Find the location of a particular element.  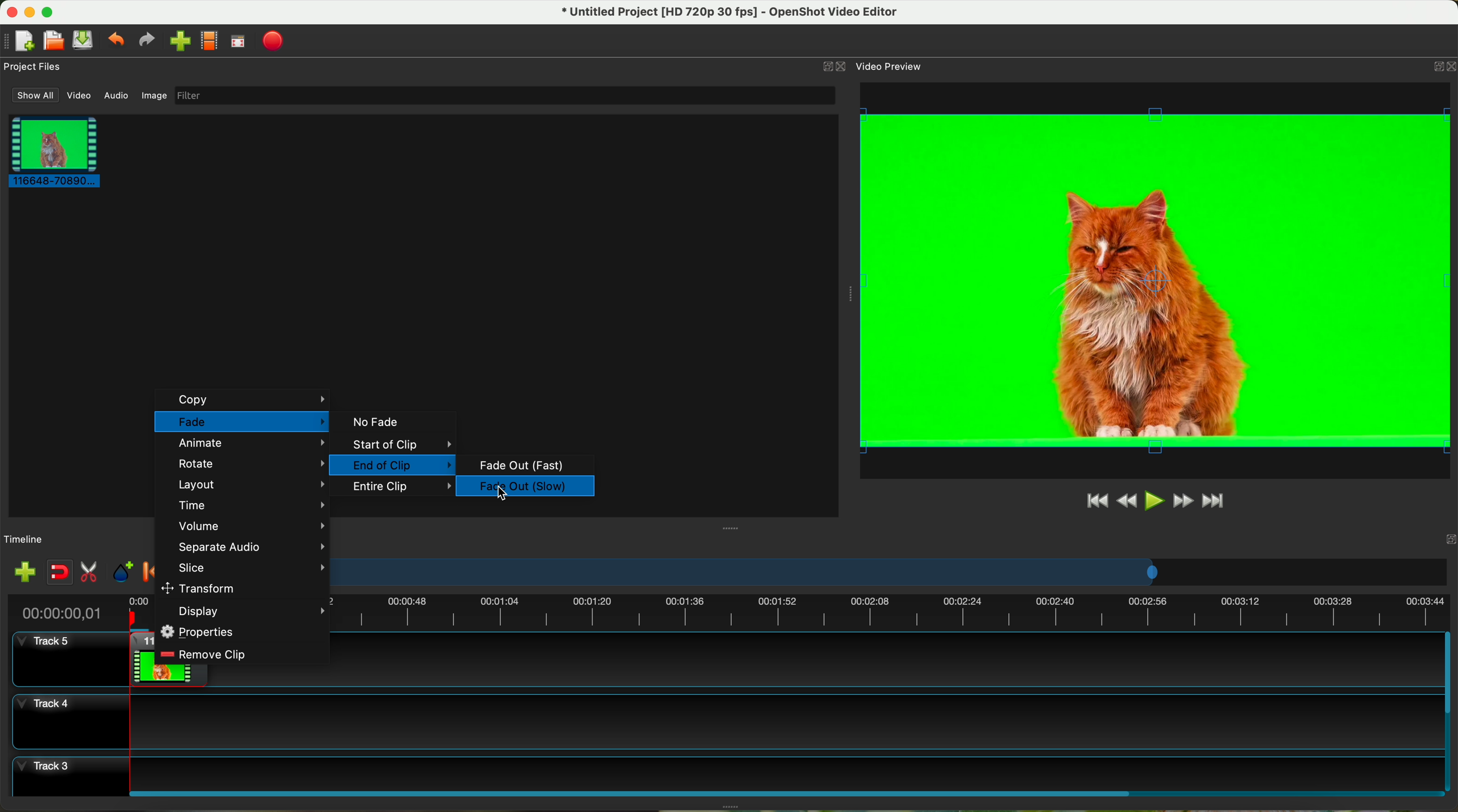

click on fade out (slow) is located at coordinates (529, 488).